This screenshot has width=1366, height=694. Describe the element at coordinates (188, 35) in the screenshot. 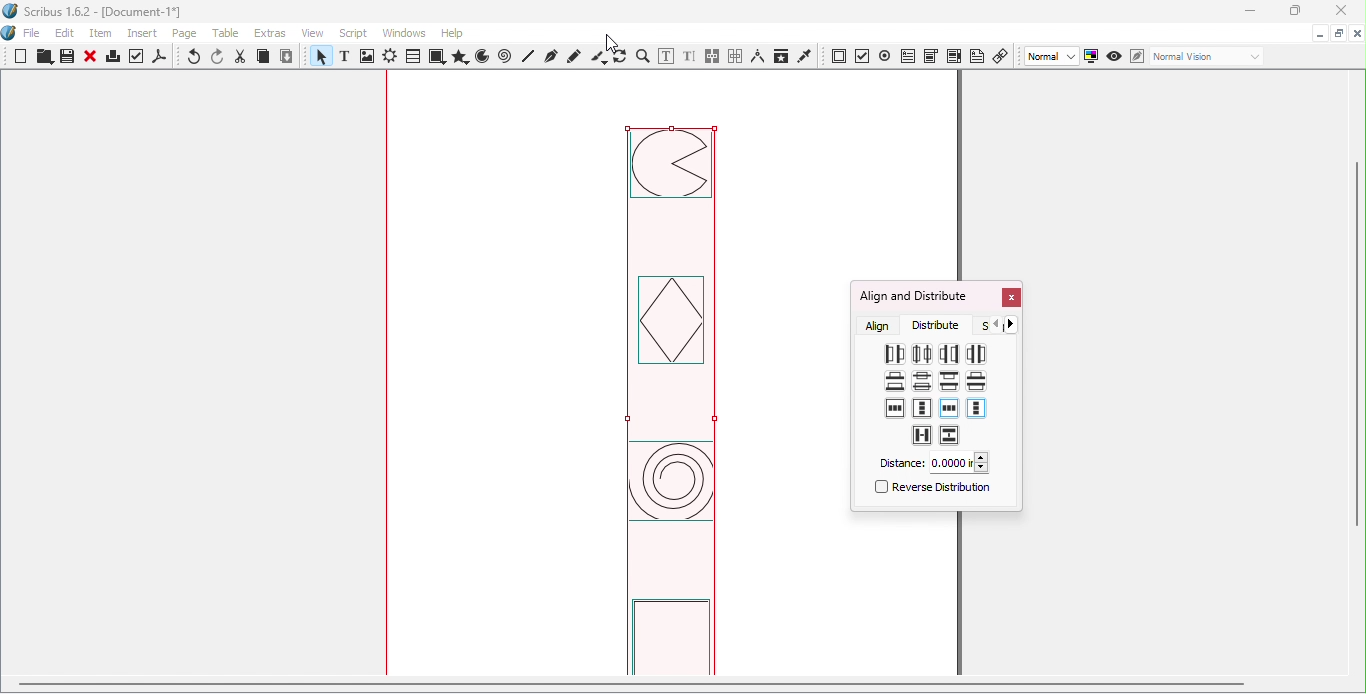

I see `Page` at that location.